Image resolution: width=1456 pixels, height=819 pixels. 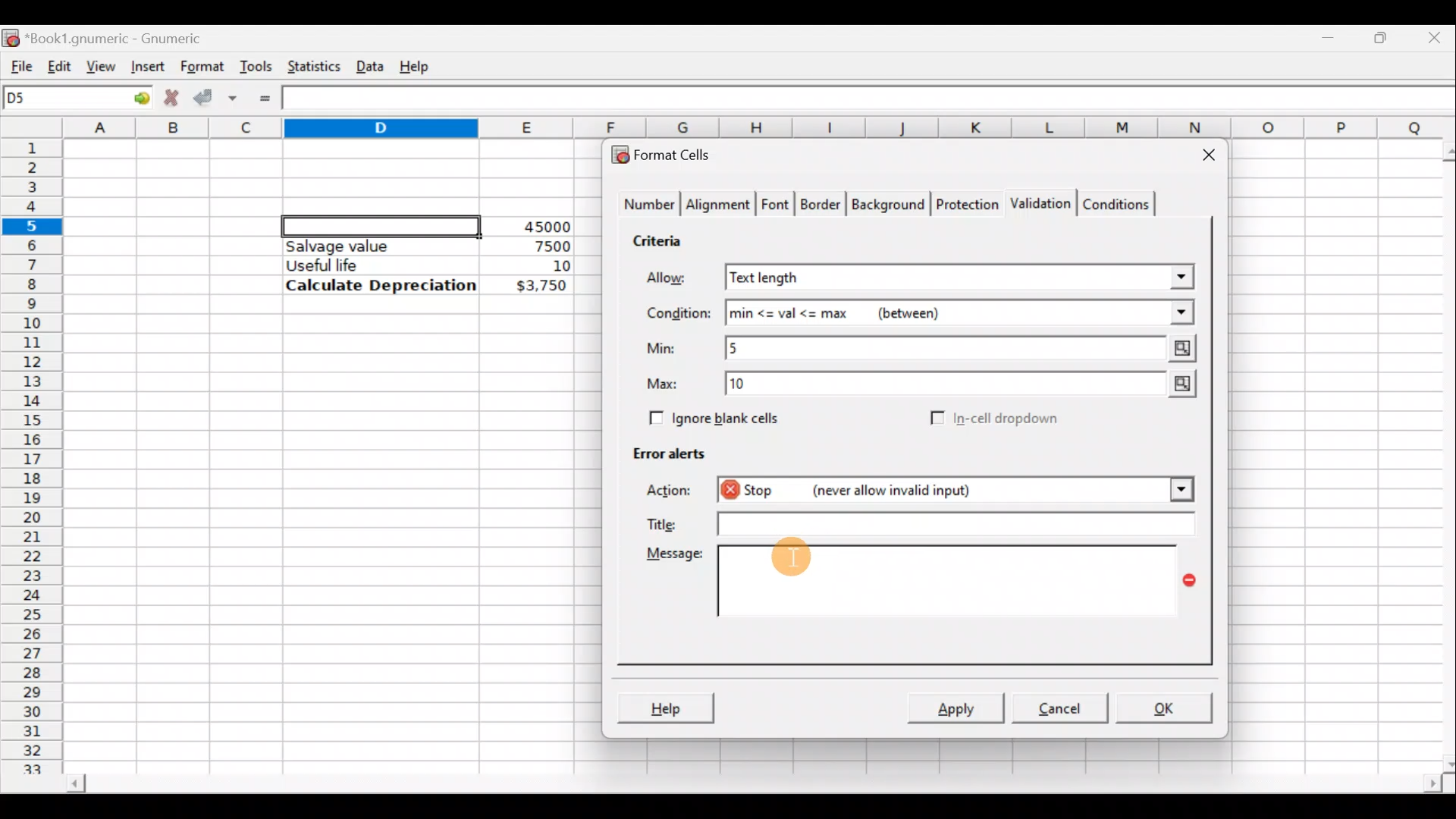 I want to click on Title, so click(x=659, y=521).